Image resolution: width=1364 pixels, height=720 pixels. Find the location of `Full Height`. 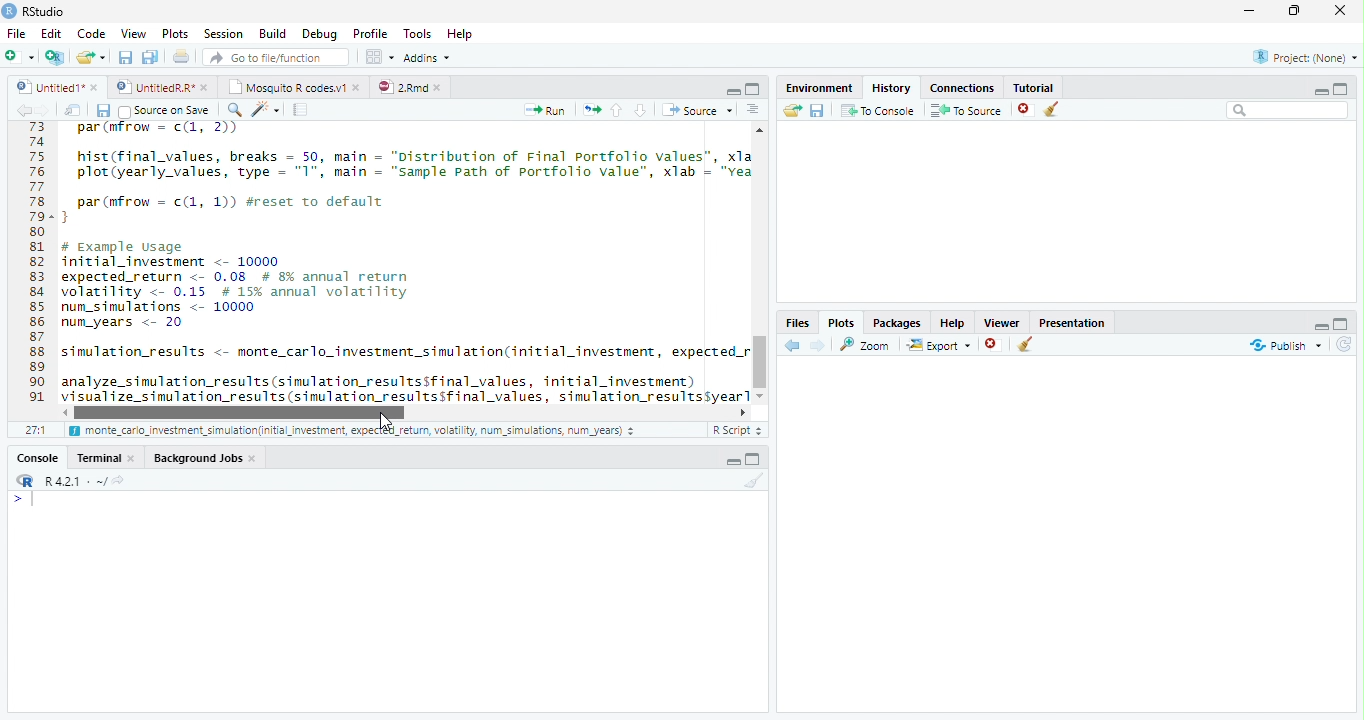

Full Height is located at coordinates (1343, 322).